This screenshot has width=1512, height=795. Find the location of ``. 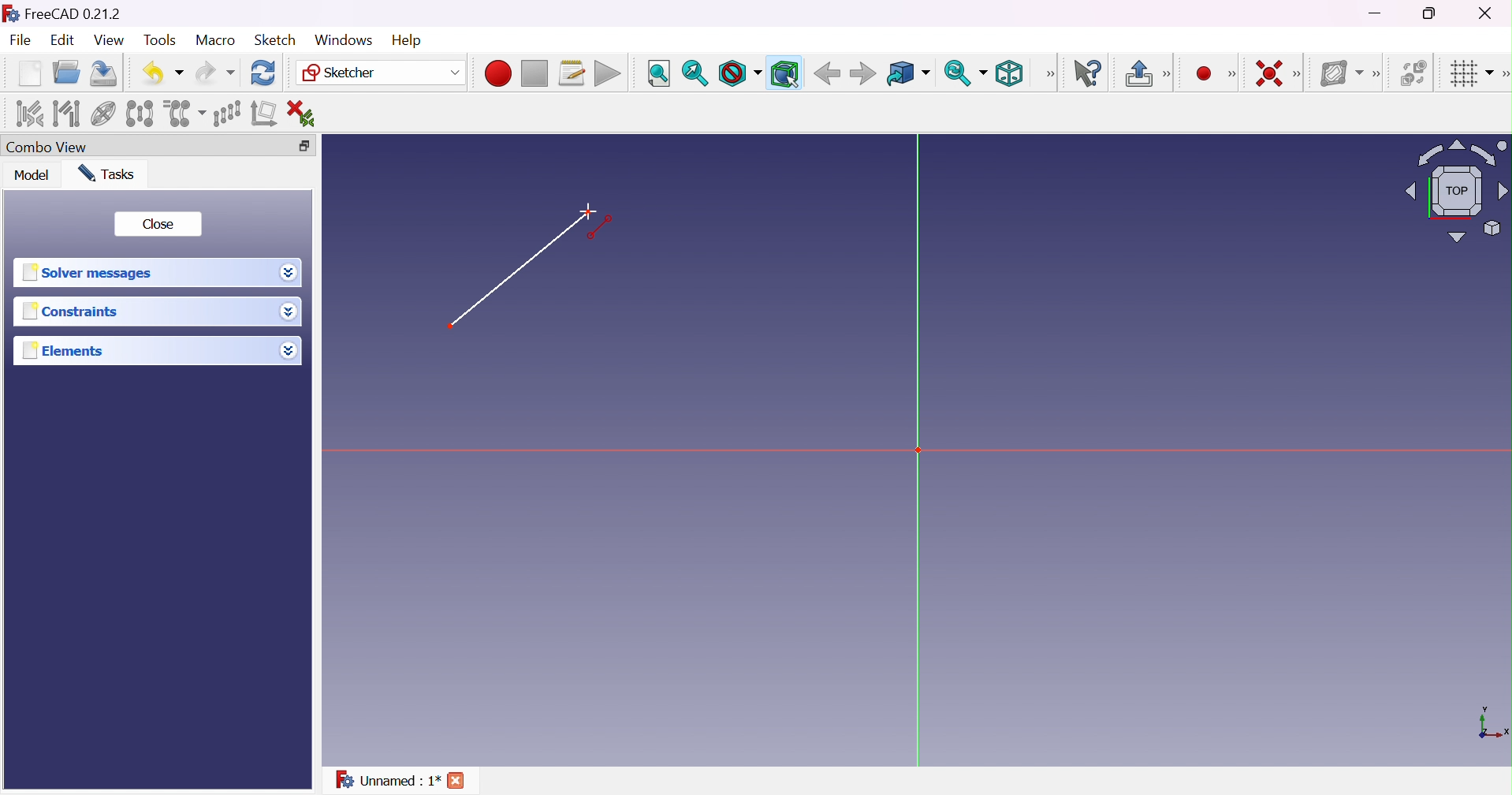

 is located at coordinates (1138, 73).